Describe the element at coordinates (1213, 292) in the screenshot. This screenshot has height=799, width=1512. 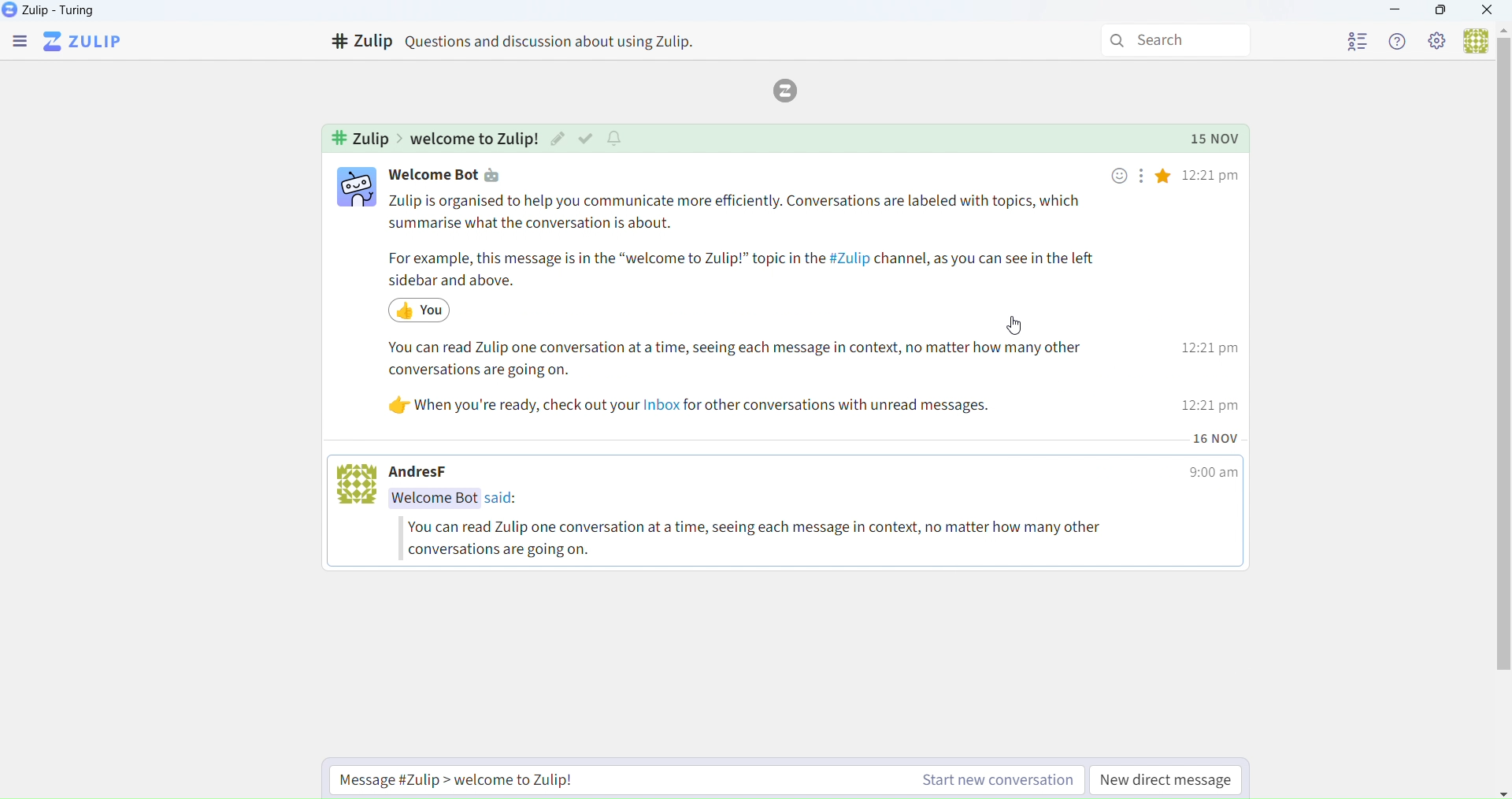
I see `time` at that location.